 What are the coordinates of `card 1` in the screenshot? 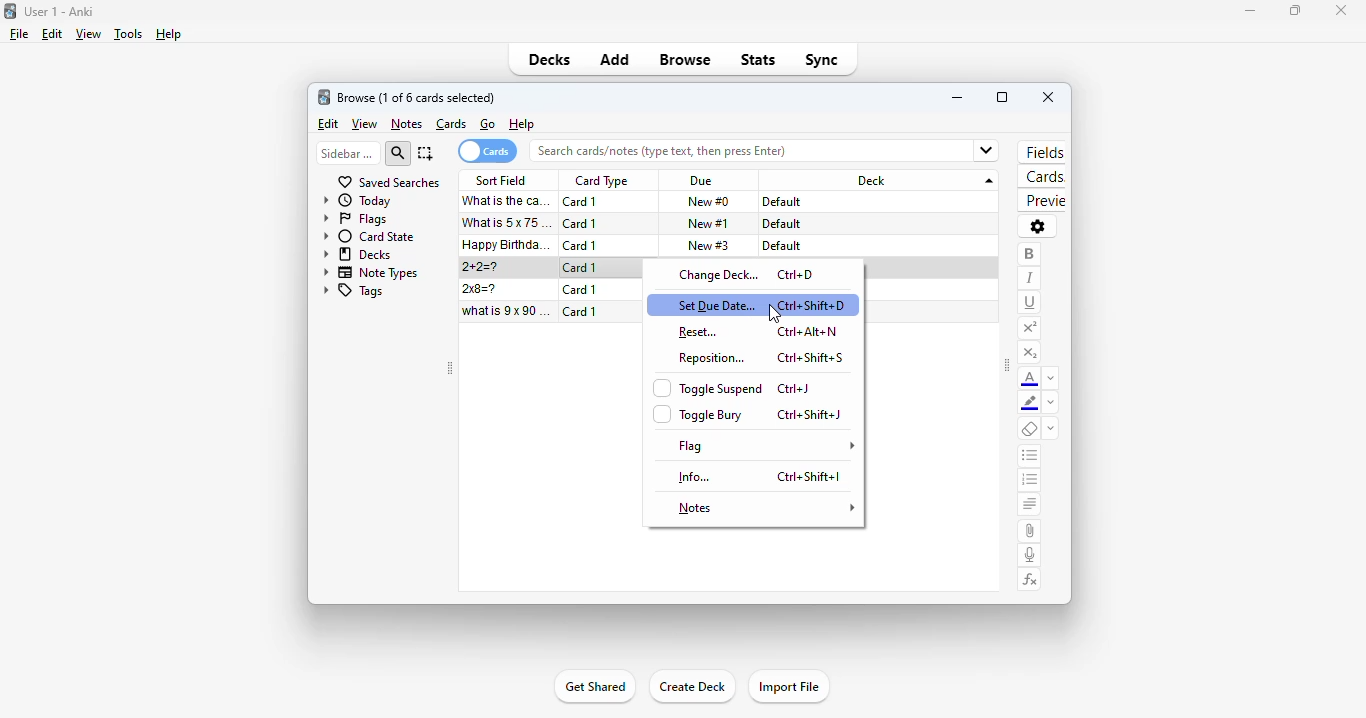 It's located at (580, 268).